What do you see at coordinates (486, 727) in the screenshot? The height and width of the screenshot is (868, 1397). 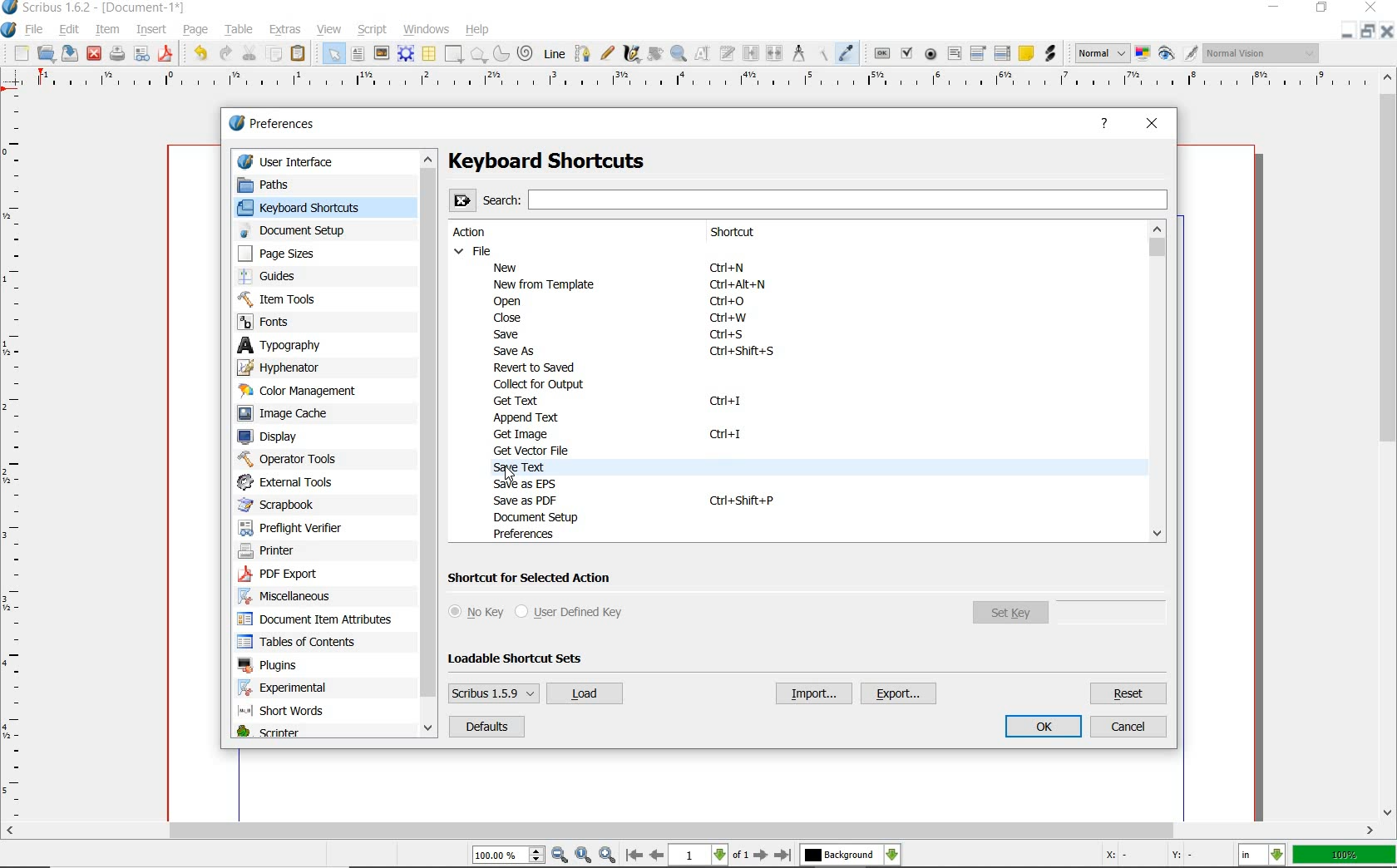 I see `default` at bounding box center [486, 727].